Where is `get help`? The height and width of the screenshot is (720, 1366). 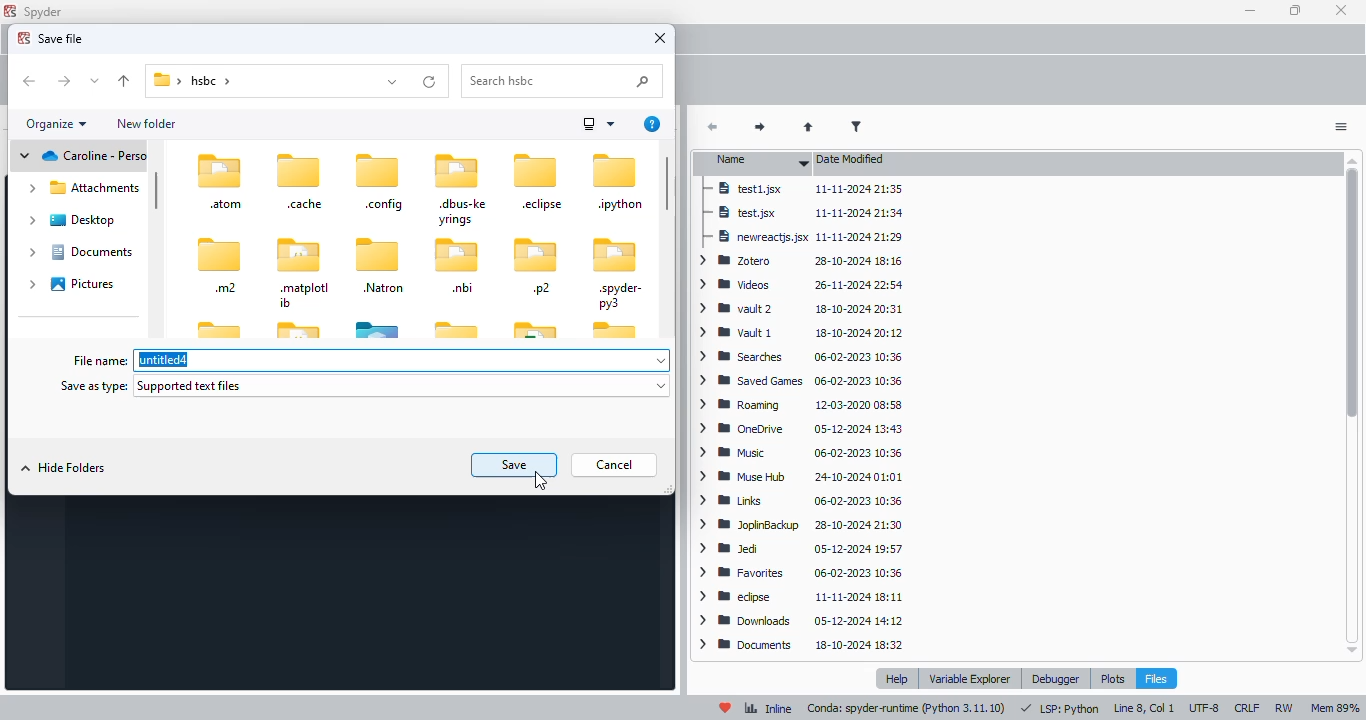
get help is located at coordinates (652, 124).